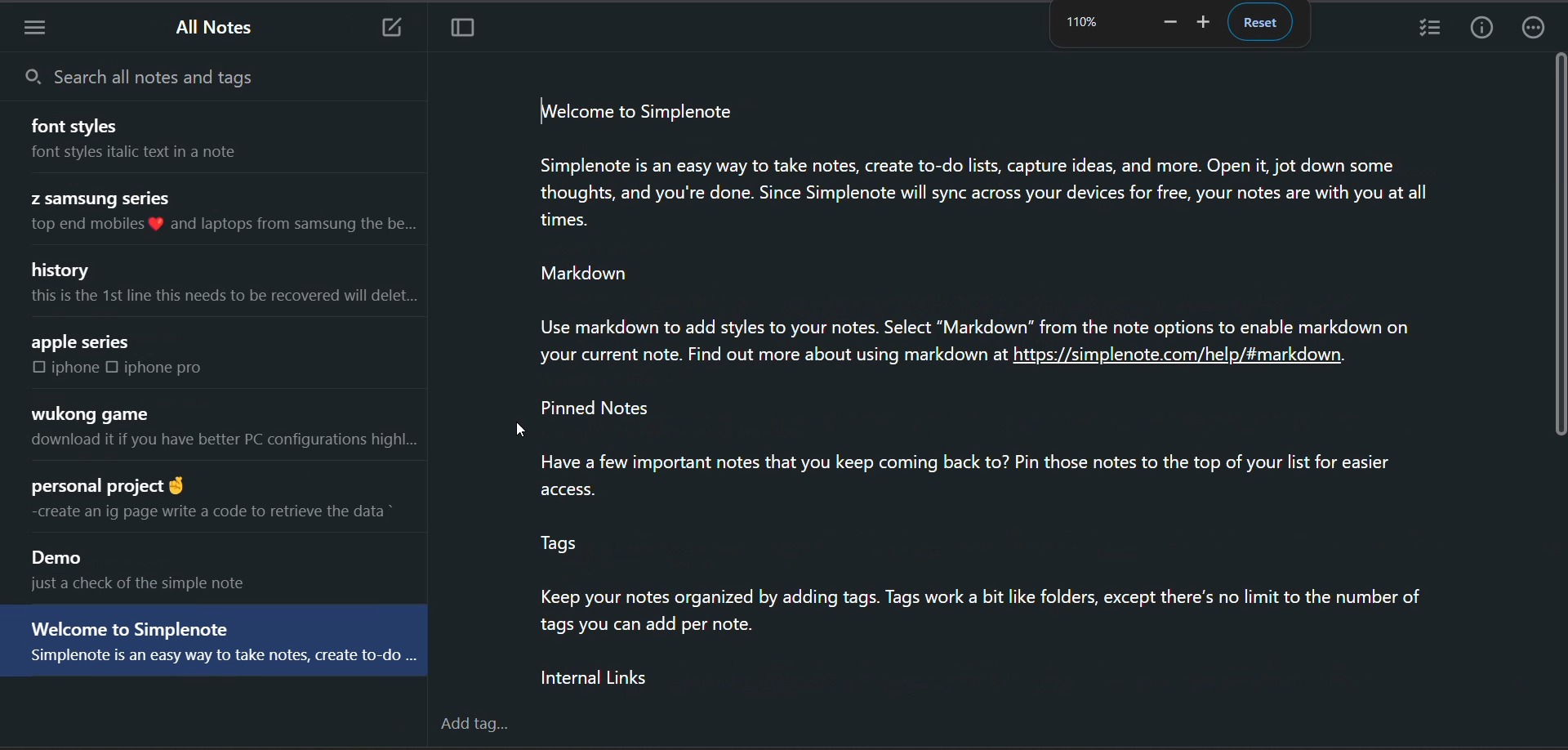  Describe the element at coordinates (174, 368) in the screenshot. I see `iphone pro` at that location.